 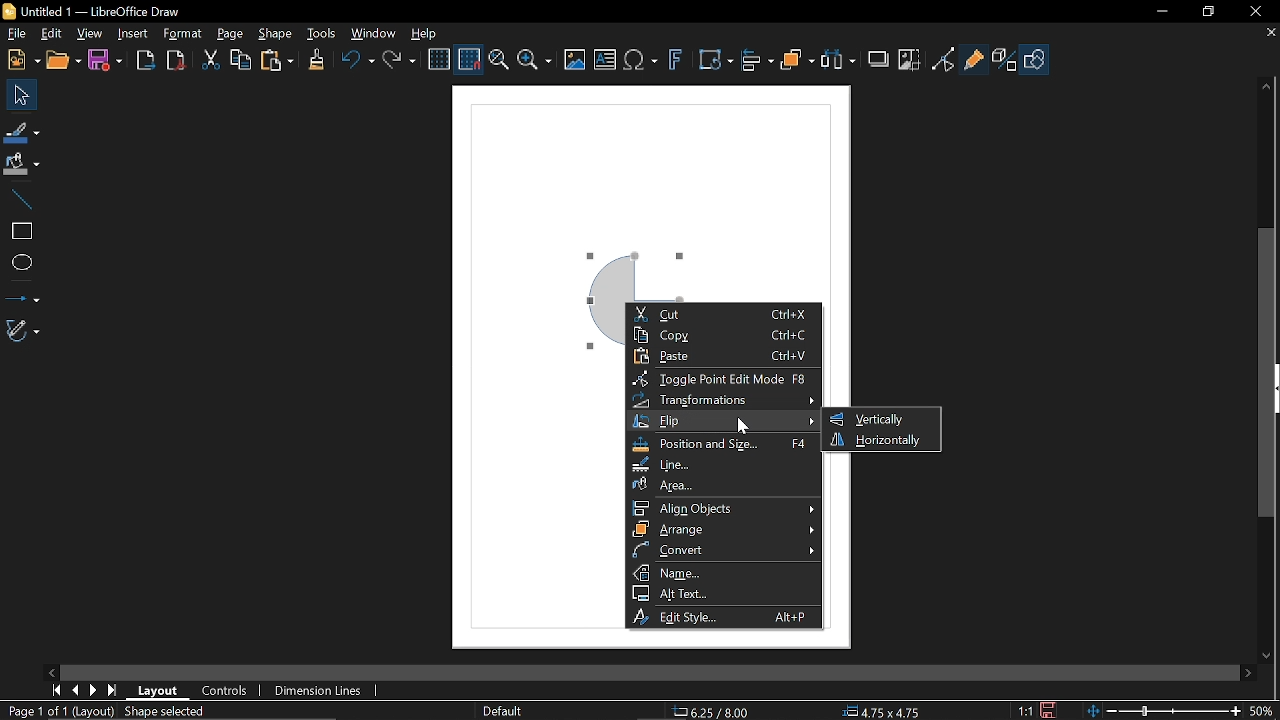 I want to click on Insert, so click(x=134, y=35).